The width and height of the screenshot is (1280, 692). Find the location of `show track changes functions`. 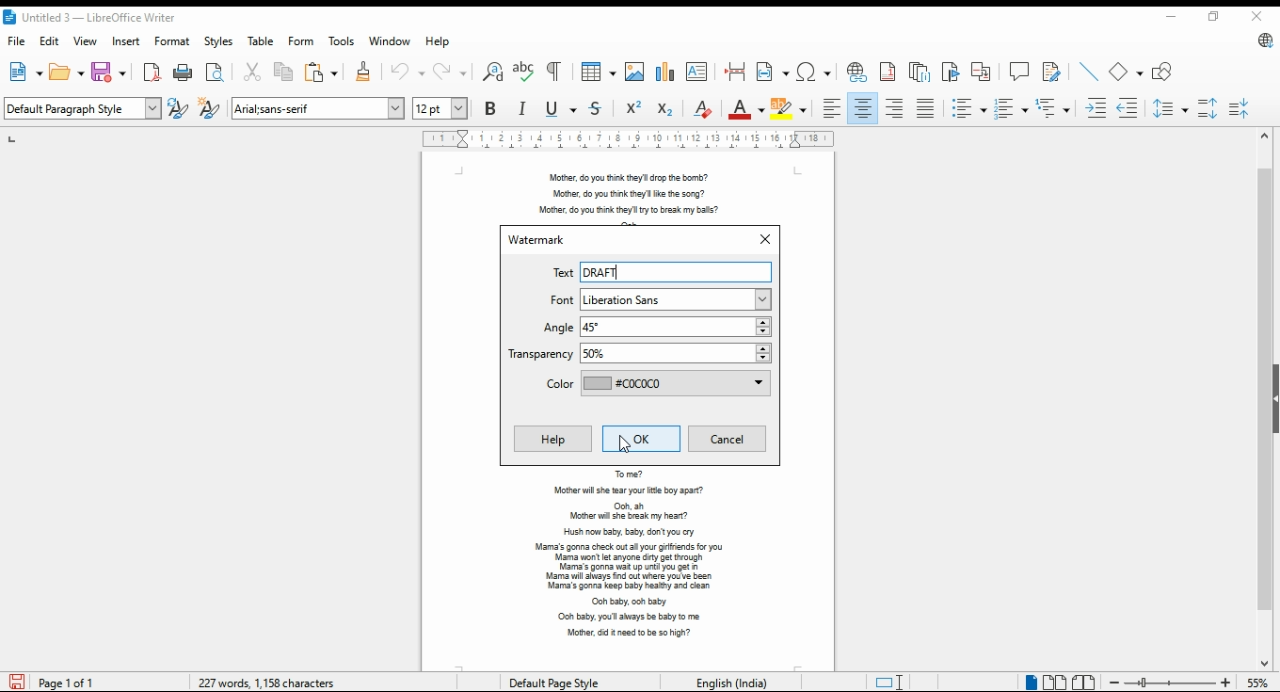

show track changes functions is located at coordinates (1052, 72).